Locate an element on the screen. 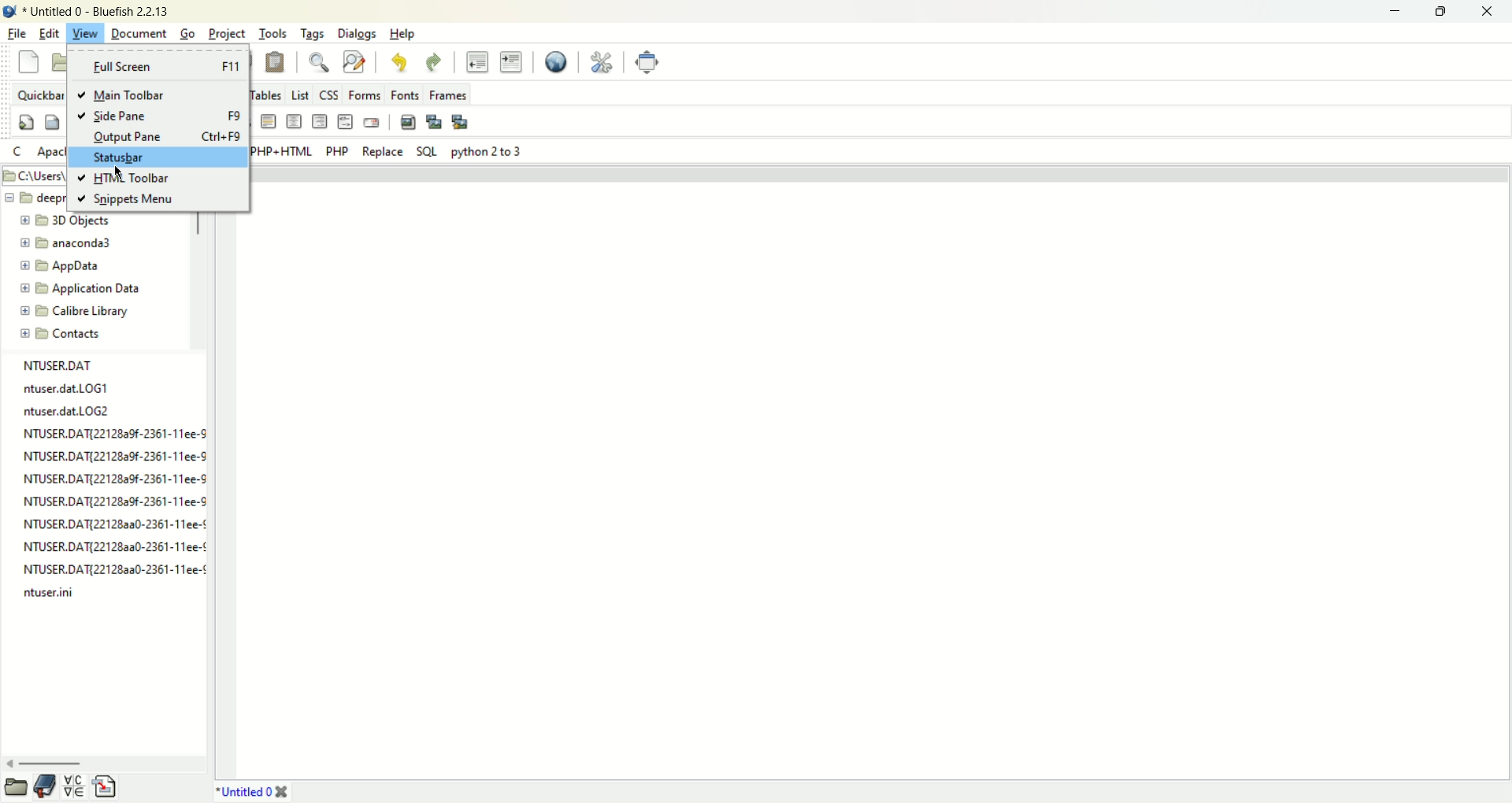 Image resolution: width=1512 pixels, height=803 pixels. find and replace is located at coordinates (354, 61).